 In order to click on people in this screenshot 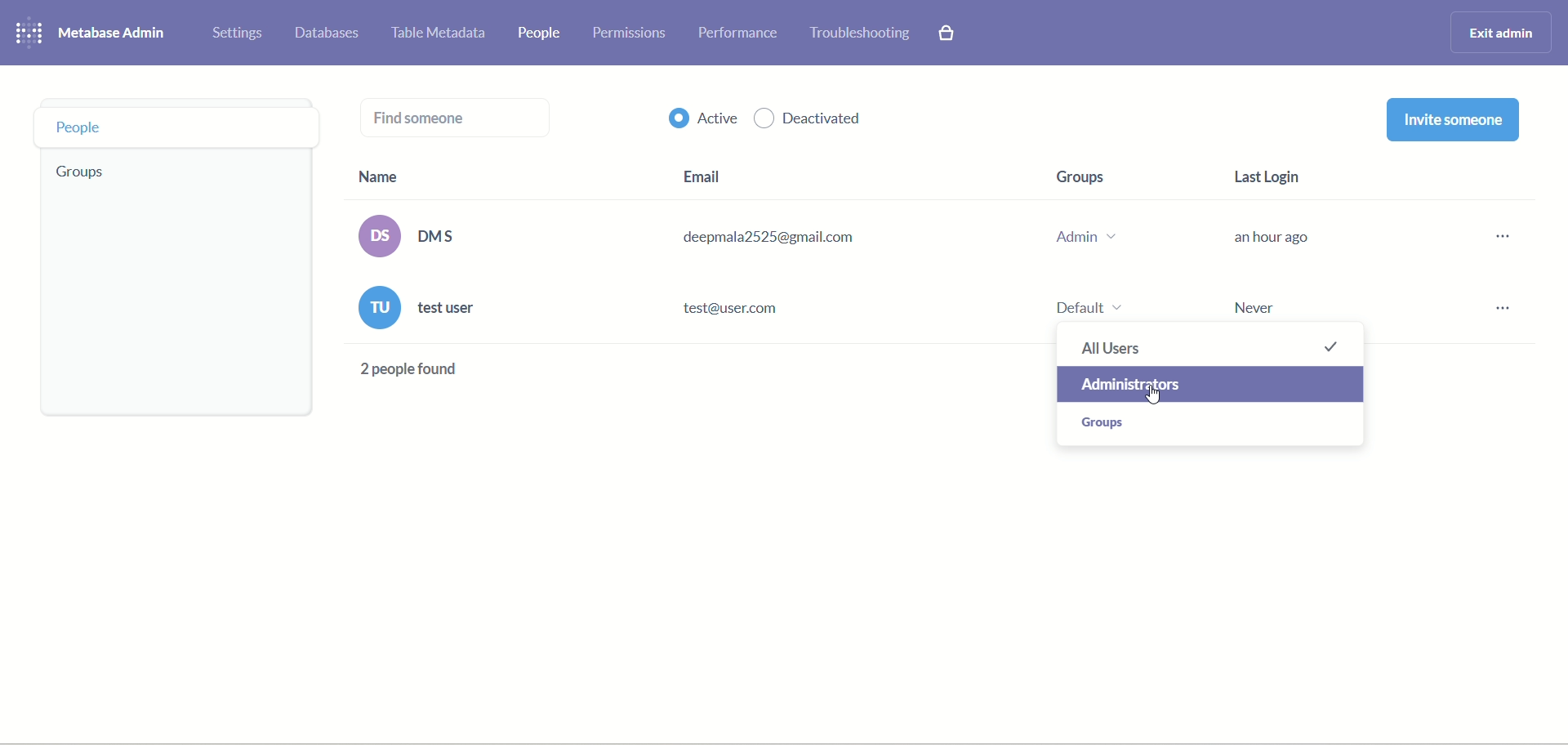, I will do `click(542, 32)`.